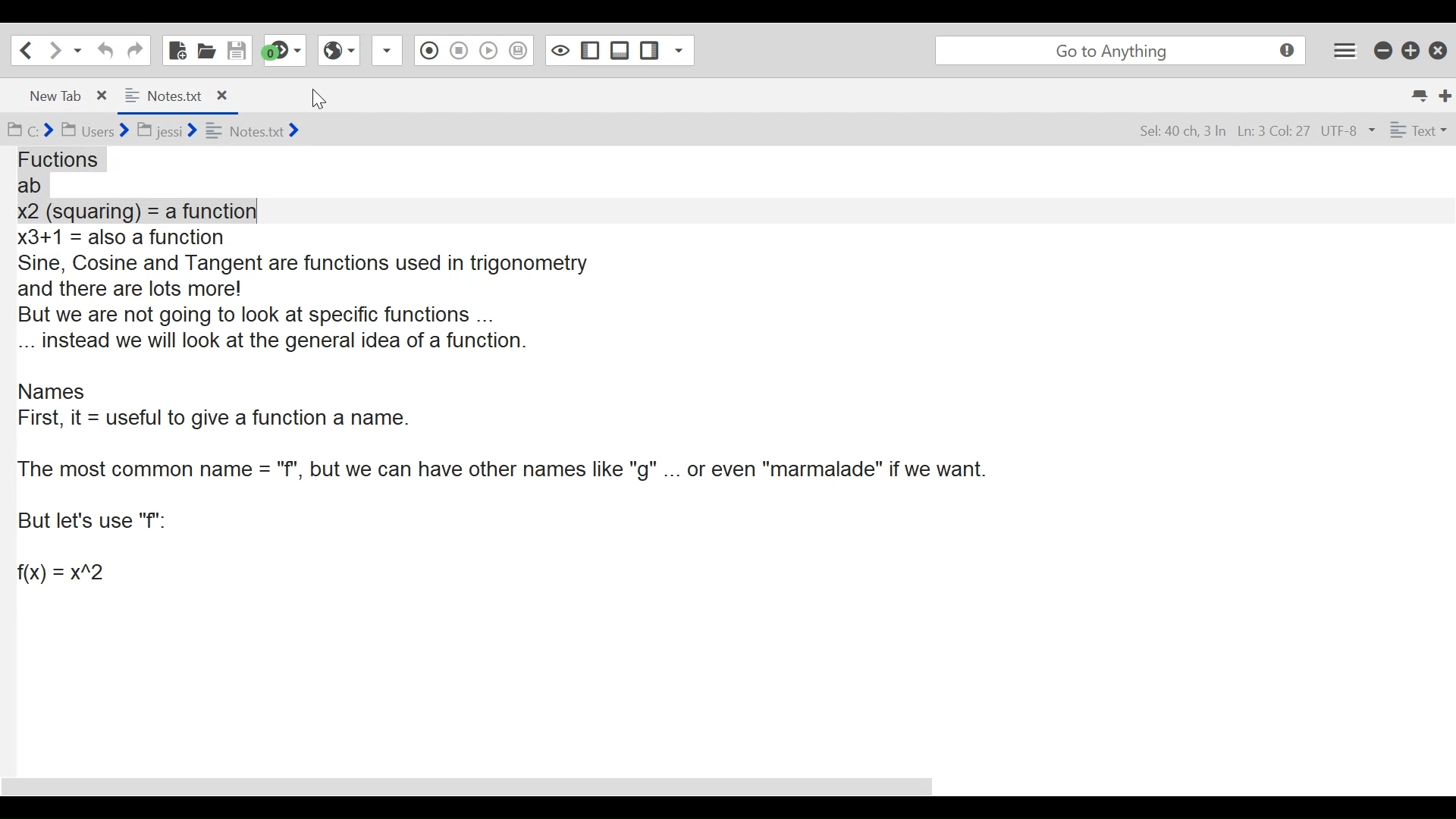  Describe the element at coordinates (53, 50) in the screenshot. I see `Click to go forward one location` at that location.